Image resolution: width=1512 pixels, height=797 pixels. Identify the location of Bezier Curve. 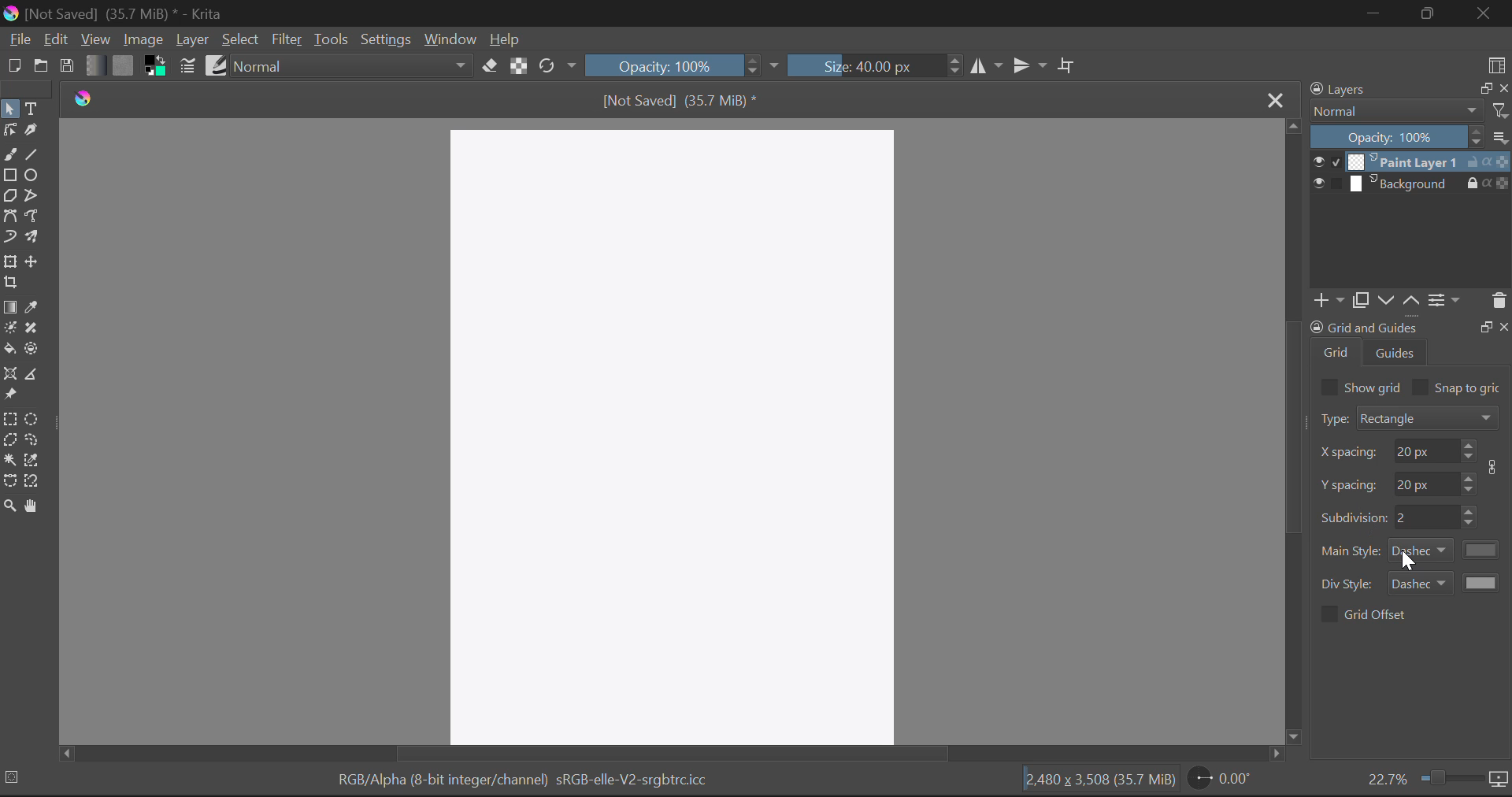
(11, 219).